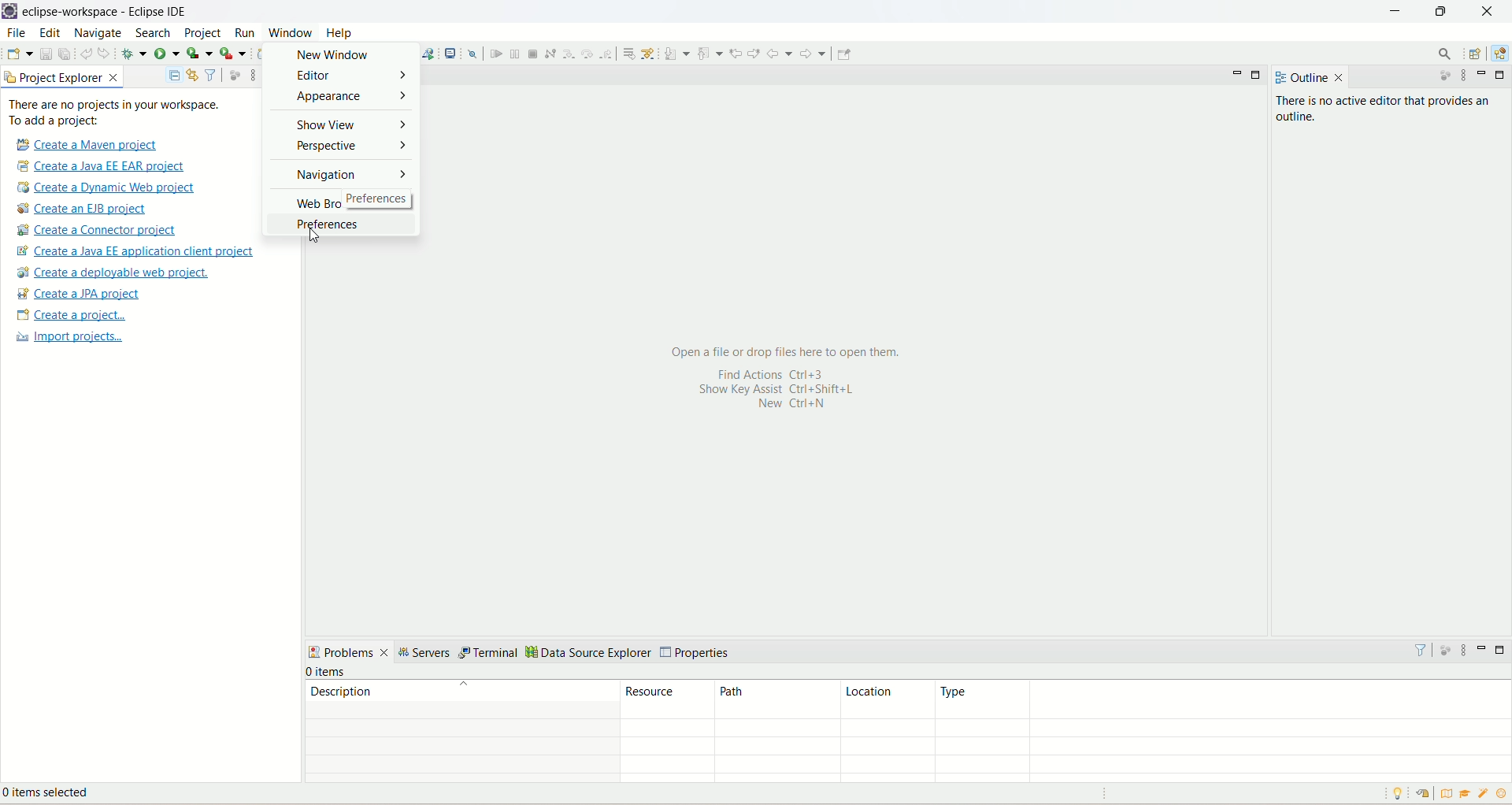 The width and height of the screenshot is (1512, 805). What do you see at coordinates (1443, 54) in the screenshot?
I see `access commands and other items` at bounding box center [1443, 54].